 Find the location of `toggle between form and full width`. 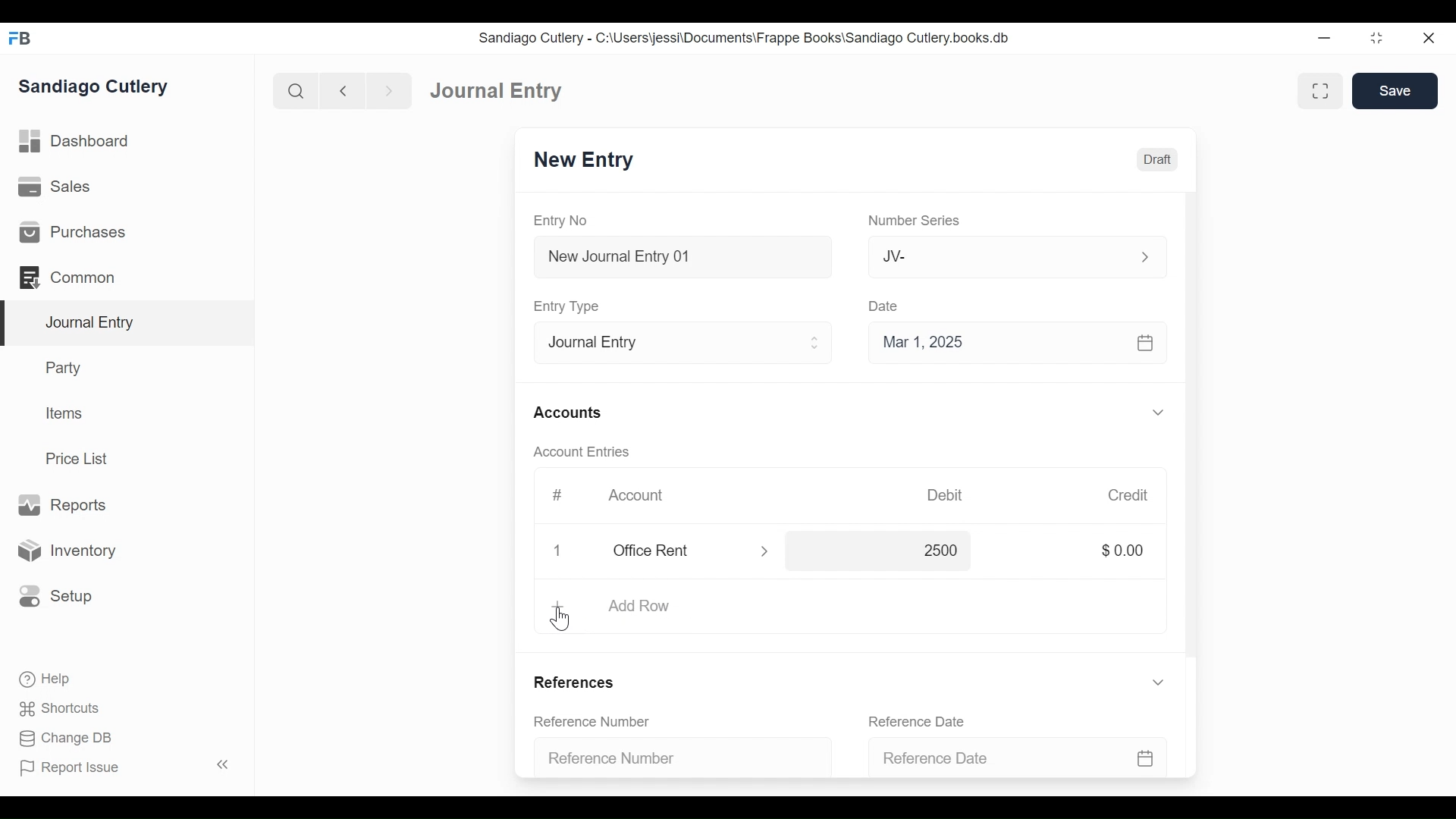

toggle between form and full width is located at coordinates (1323, 92).